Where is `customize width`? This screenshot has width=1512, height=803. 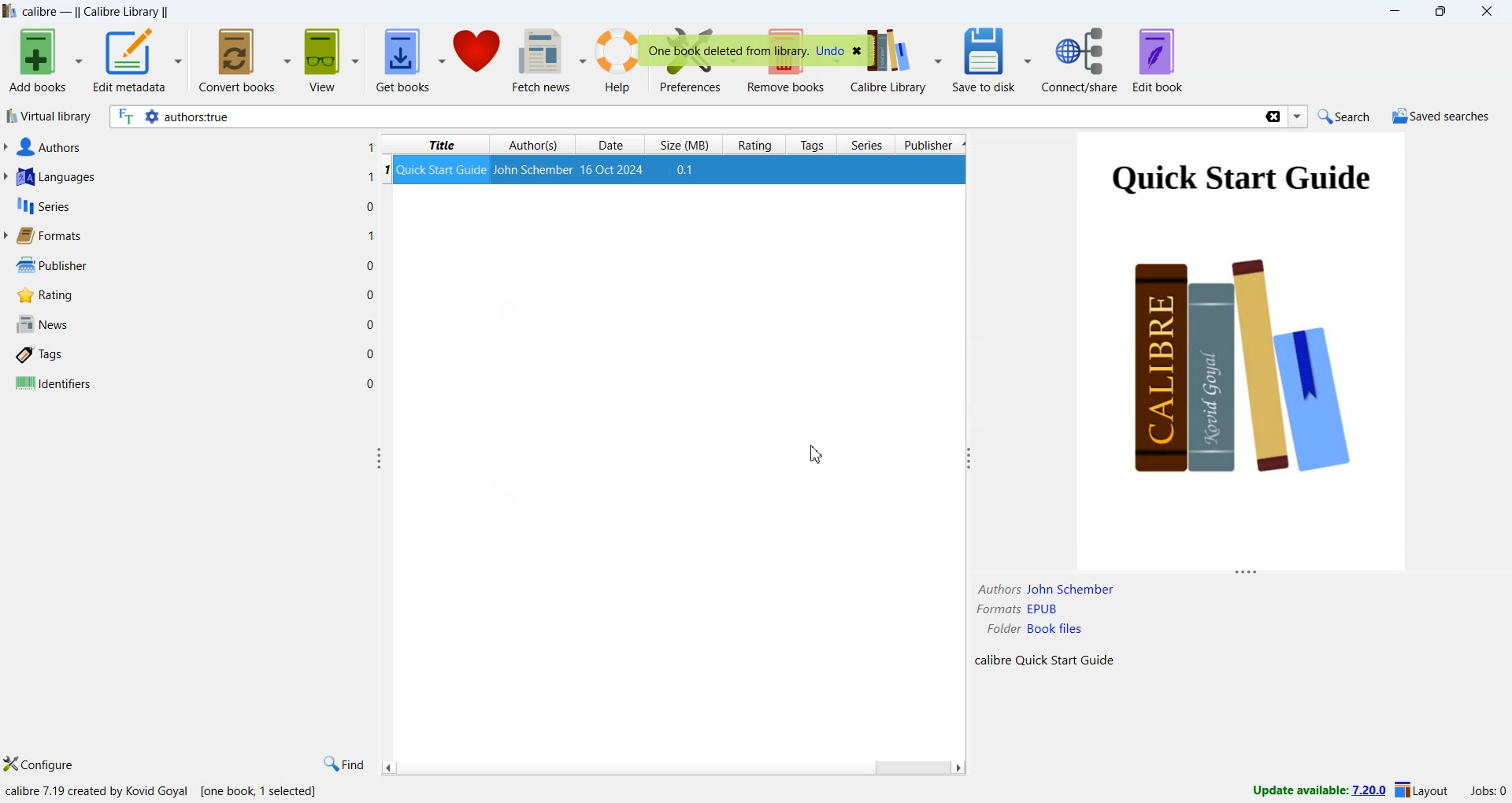
customize width is located at coordinates (380, 458).